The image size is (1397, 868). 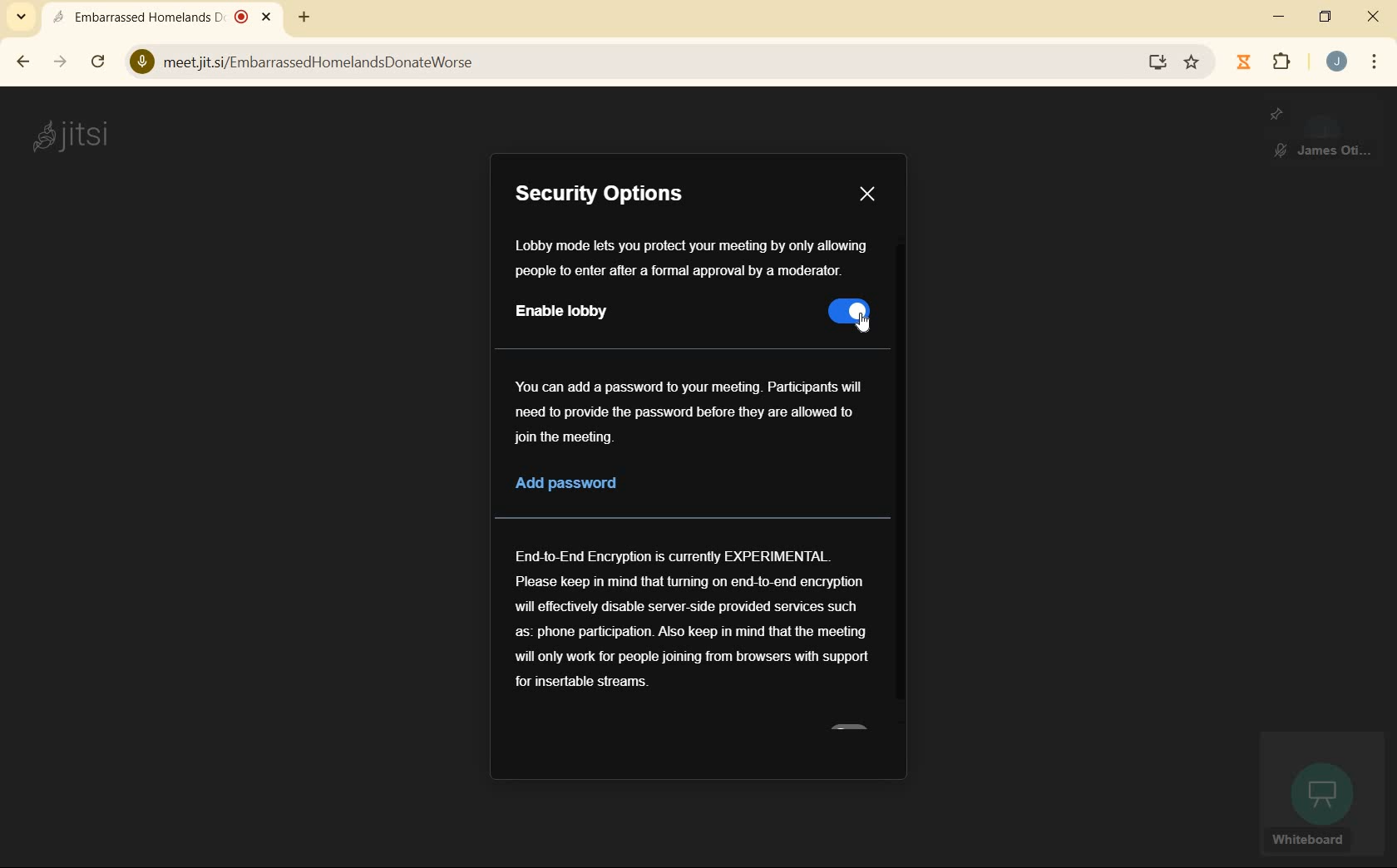 I want to click on ENABLE LOBBY, so click(x=569, y=313).